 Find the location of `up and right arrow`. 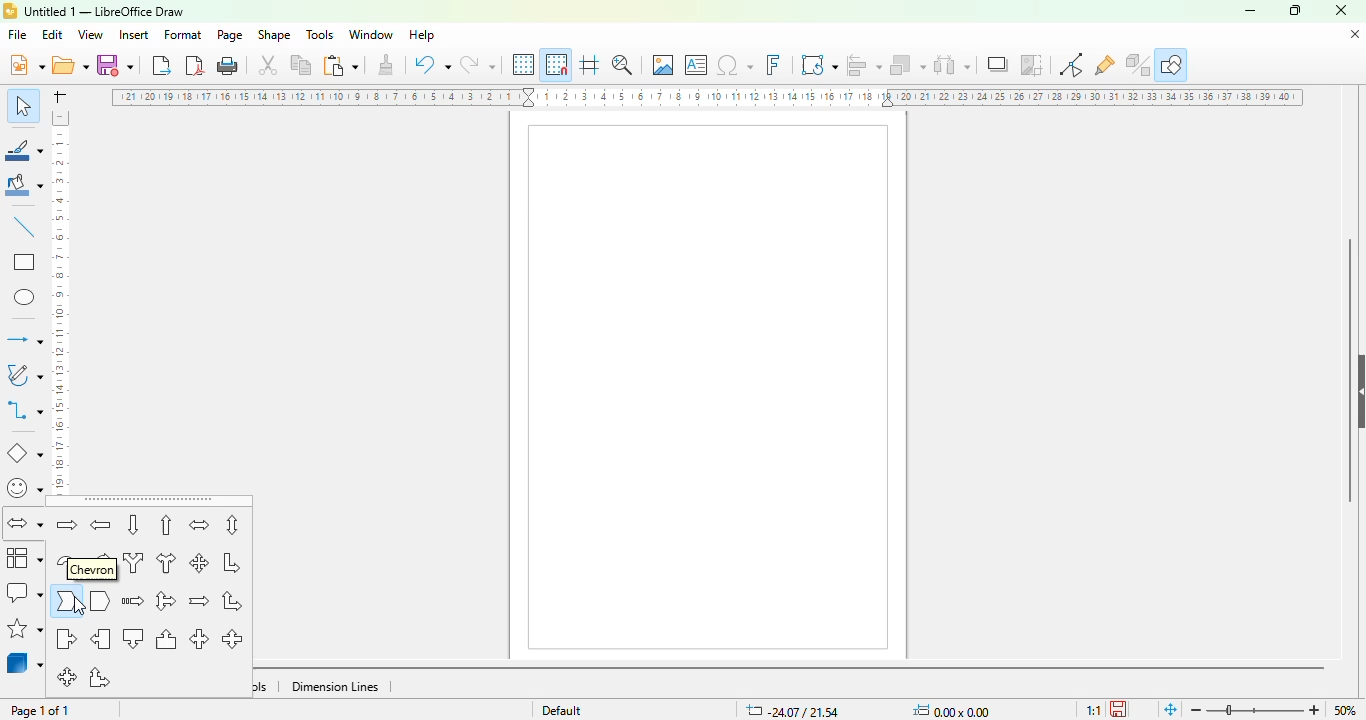

up and right arrow is located at coordinates (231, 601).